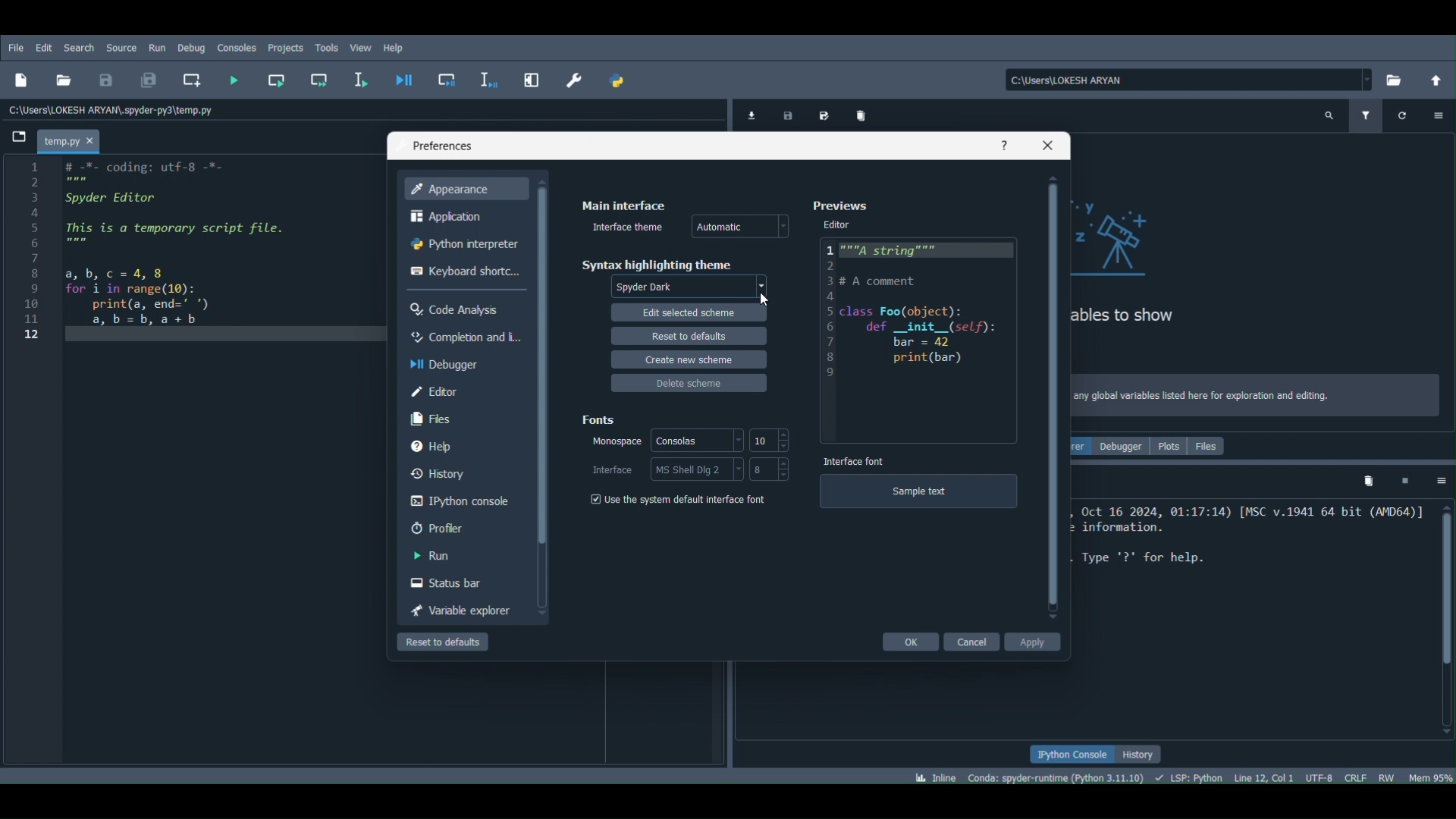 The width and height of the screenshot is (1456, 819). I want to click on Edit, so click(45, 46).